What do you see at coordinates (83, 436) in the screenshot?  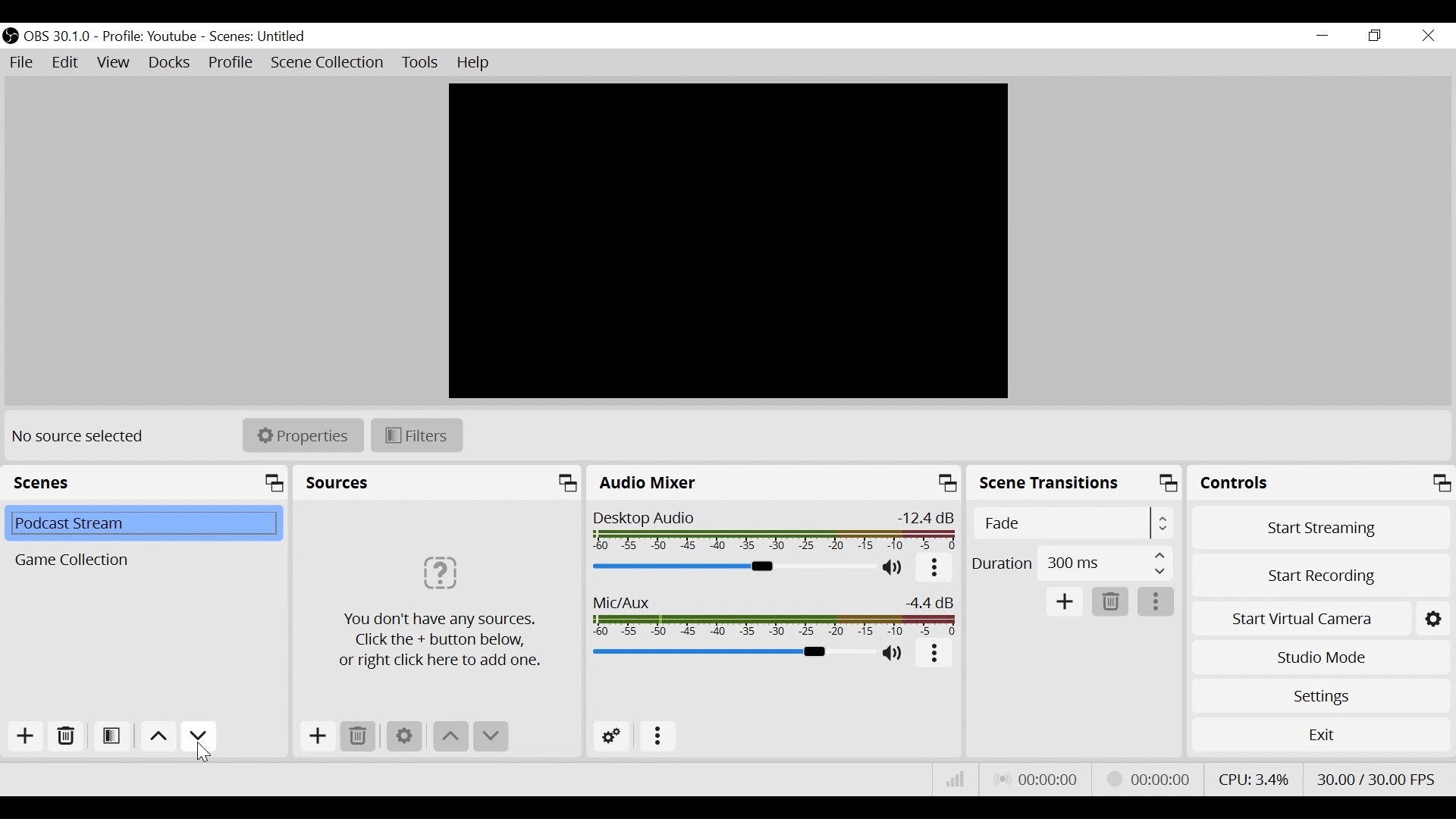 I see `No source selected` at bounding box center [83, 436].